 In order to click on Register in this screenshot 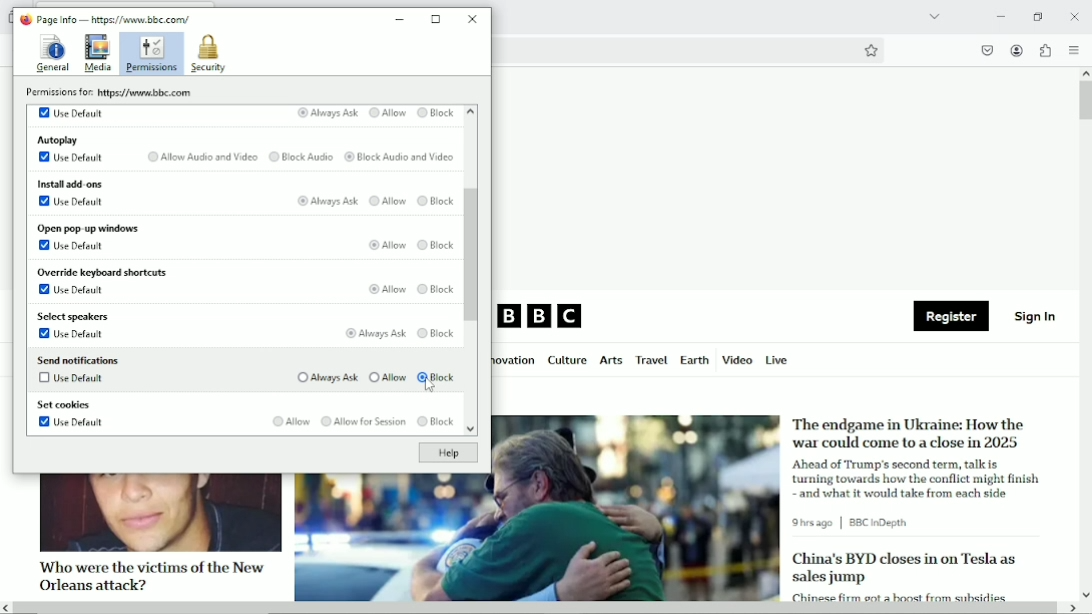, I will do `click(951, 317)`.